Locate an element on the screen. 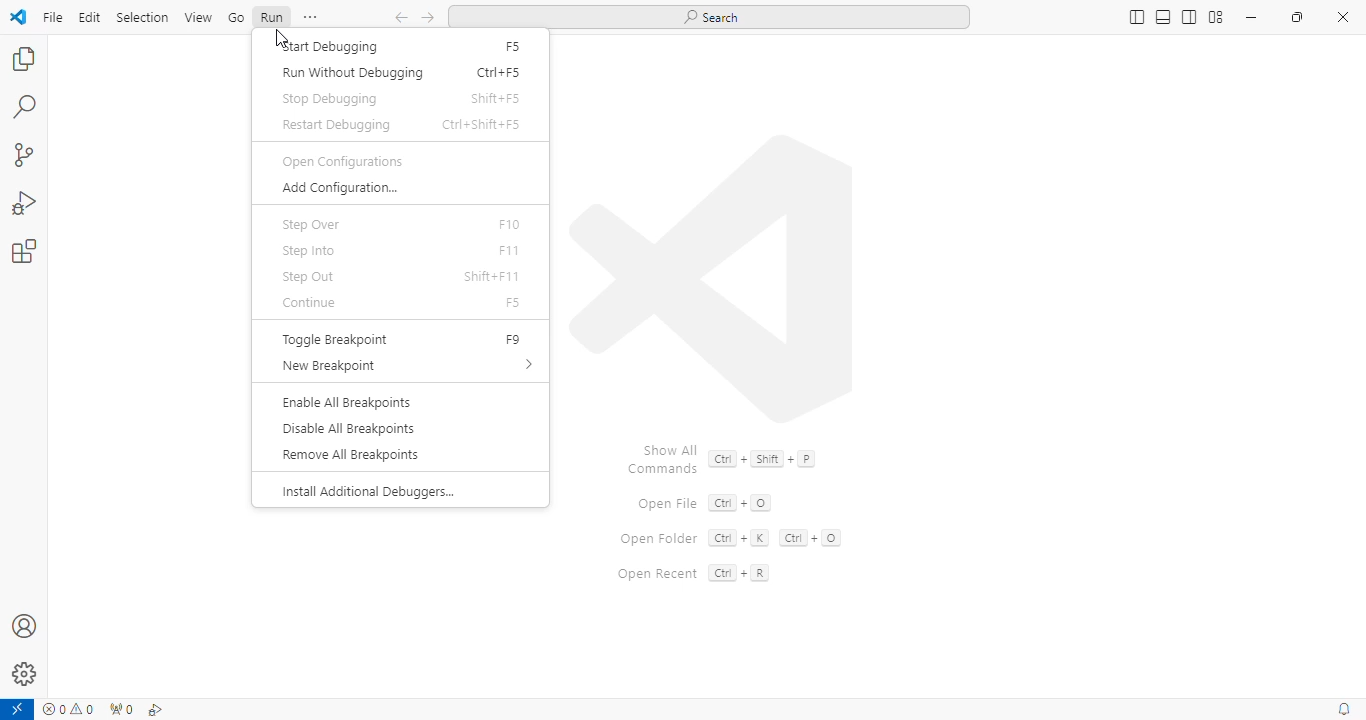 The height and width of the screenshot is (720, 1366). toggle primary side bar is located at coordinates (1136, 18).